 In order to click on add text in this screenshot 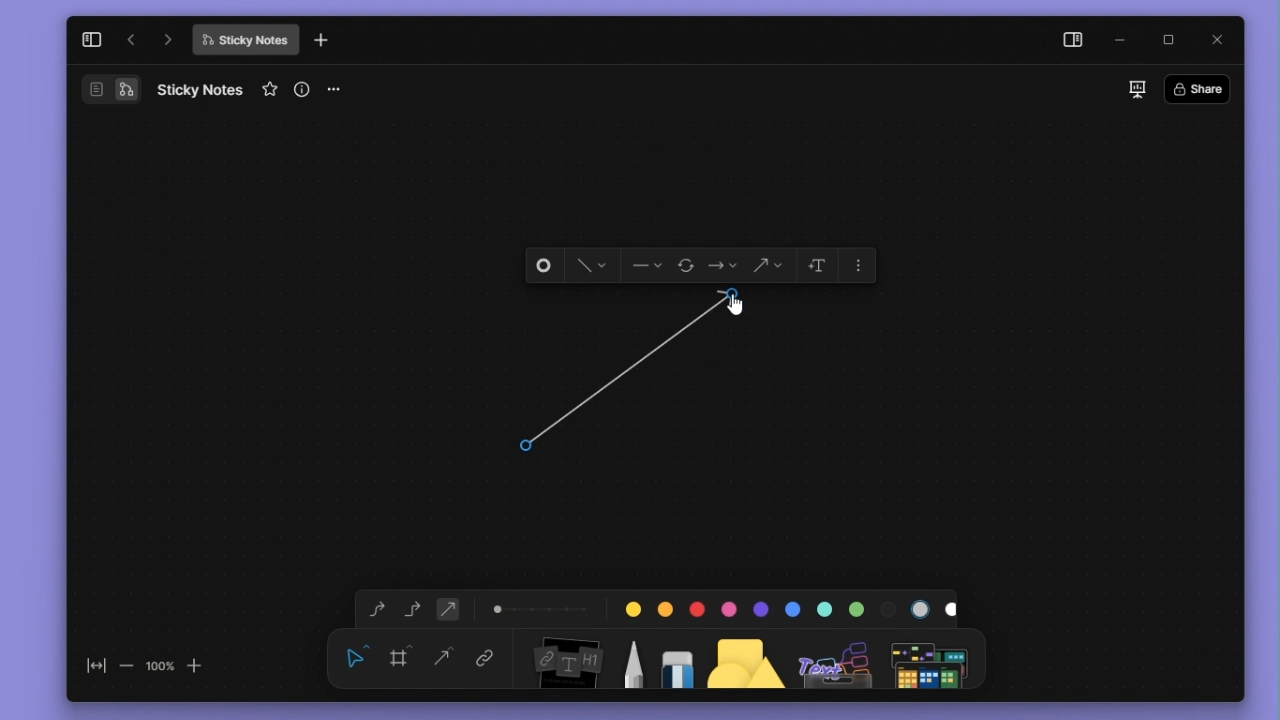, I will do `click(815, 265)`.